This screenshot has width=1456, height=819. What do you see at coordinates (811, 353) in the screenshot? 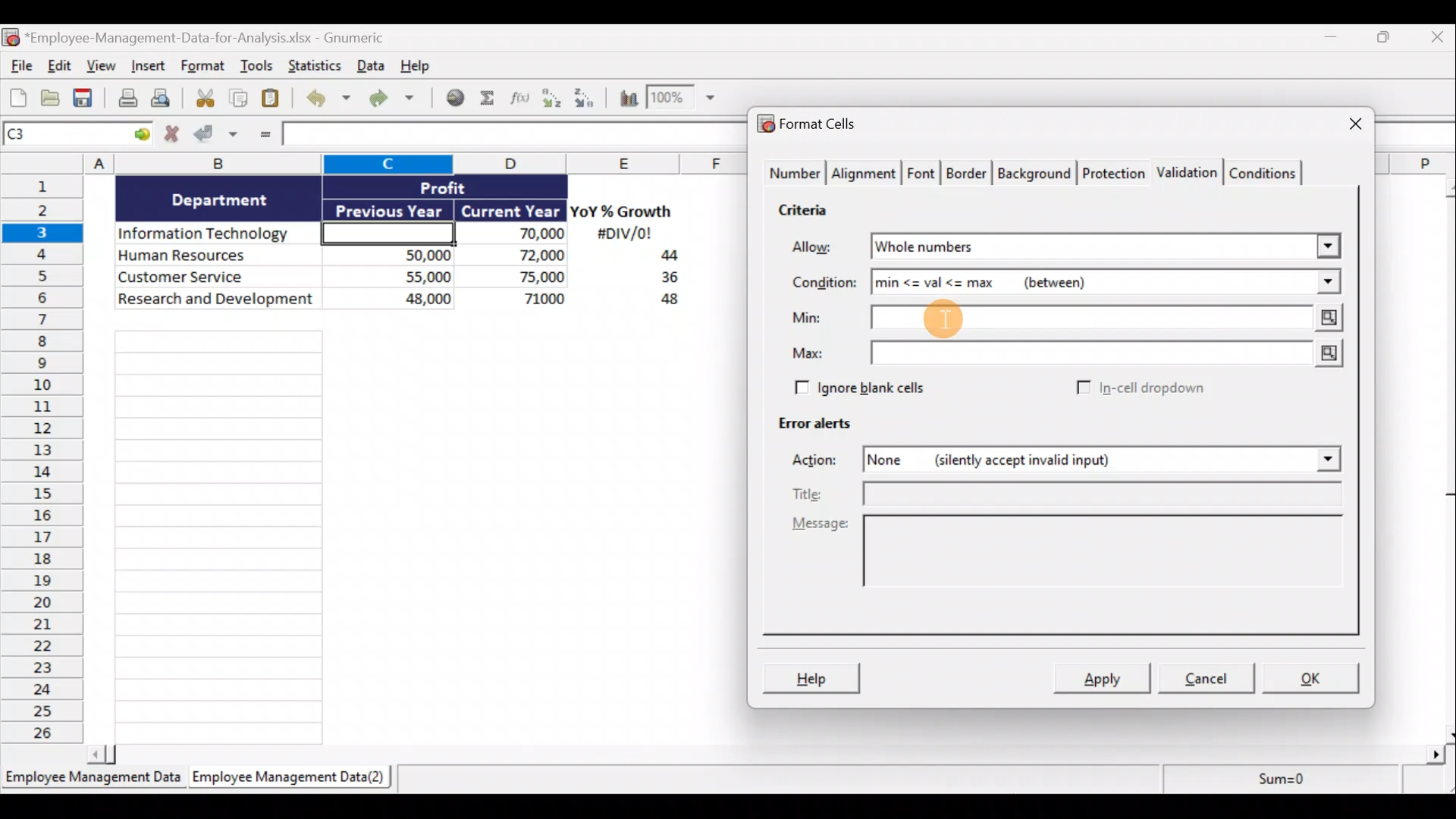
I see `Max:` at bounding box center [811, 353].